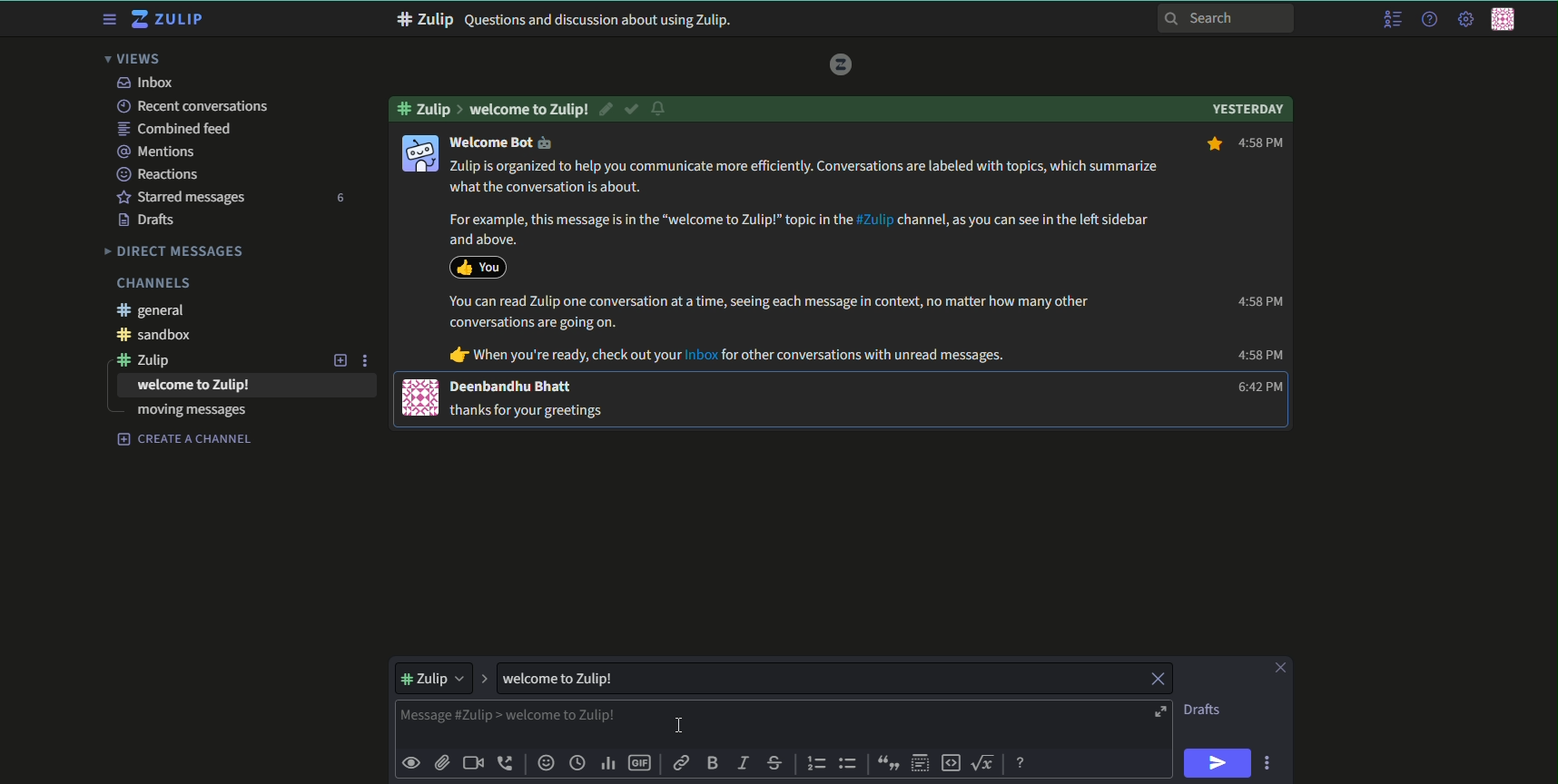 Image resolution: width=1558 pixels, height=784 pixels. What do you see at coordinates (144, 83) in the screenshot?
I see `inbox` at bounding box center [144, 83].